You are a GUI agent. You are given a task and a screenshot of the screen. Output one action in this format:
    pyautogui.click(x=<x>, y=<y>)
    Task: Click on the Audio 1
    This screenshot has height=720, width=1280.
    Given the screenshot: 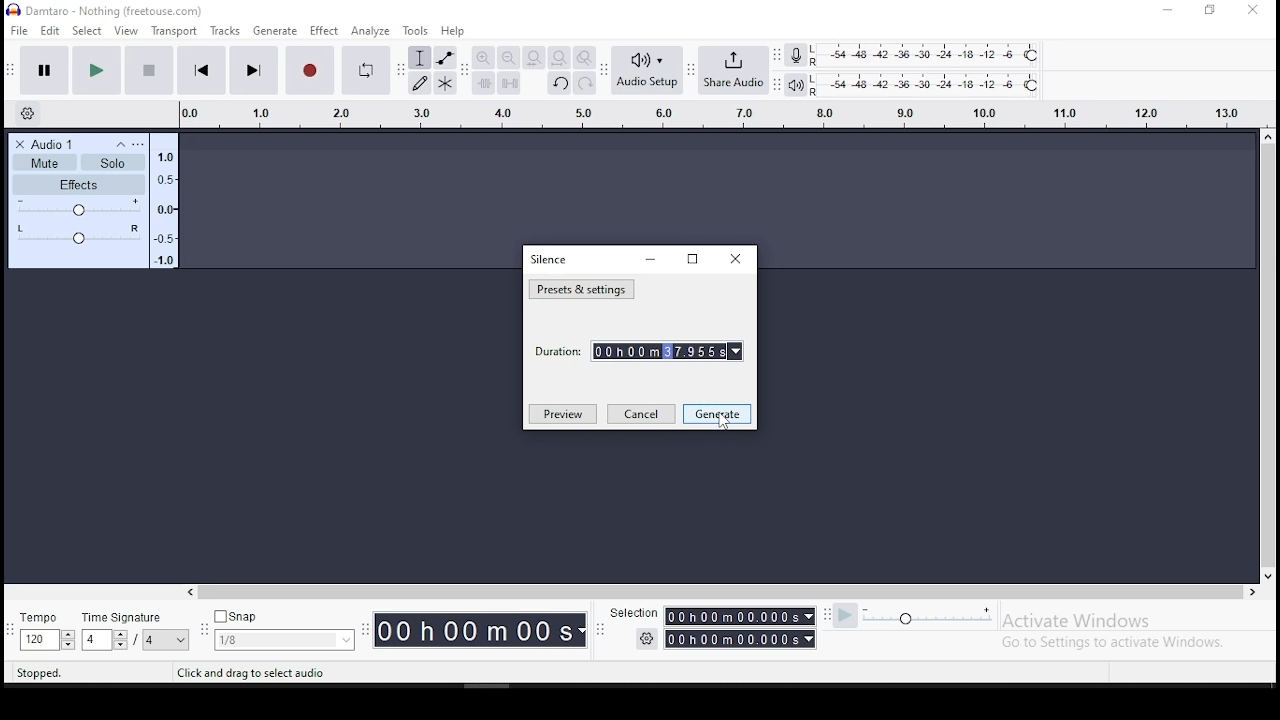 What is the action you would take?
    pyautogui.click(x=49, y=143)
    